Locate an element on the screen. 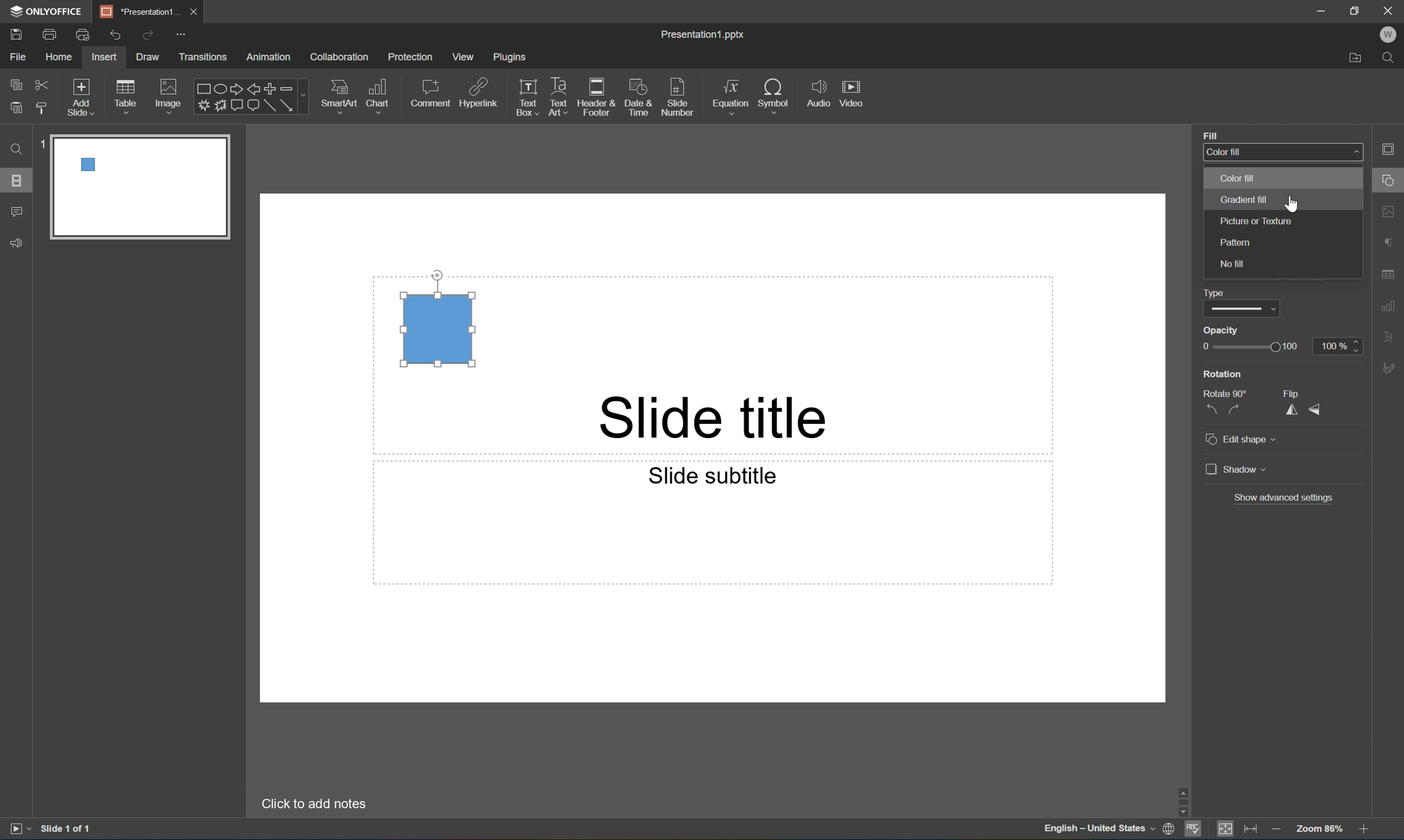 This screenshot has width=1404, height=840. Print file is located at coordinates (52, 33).